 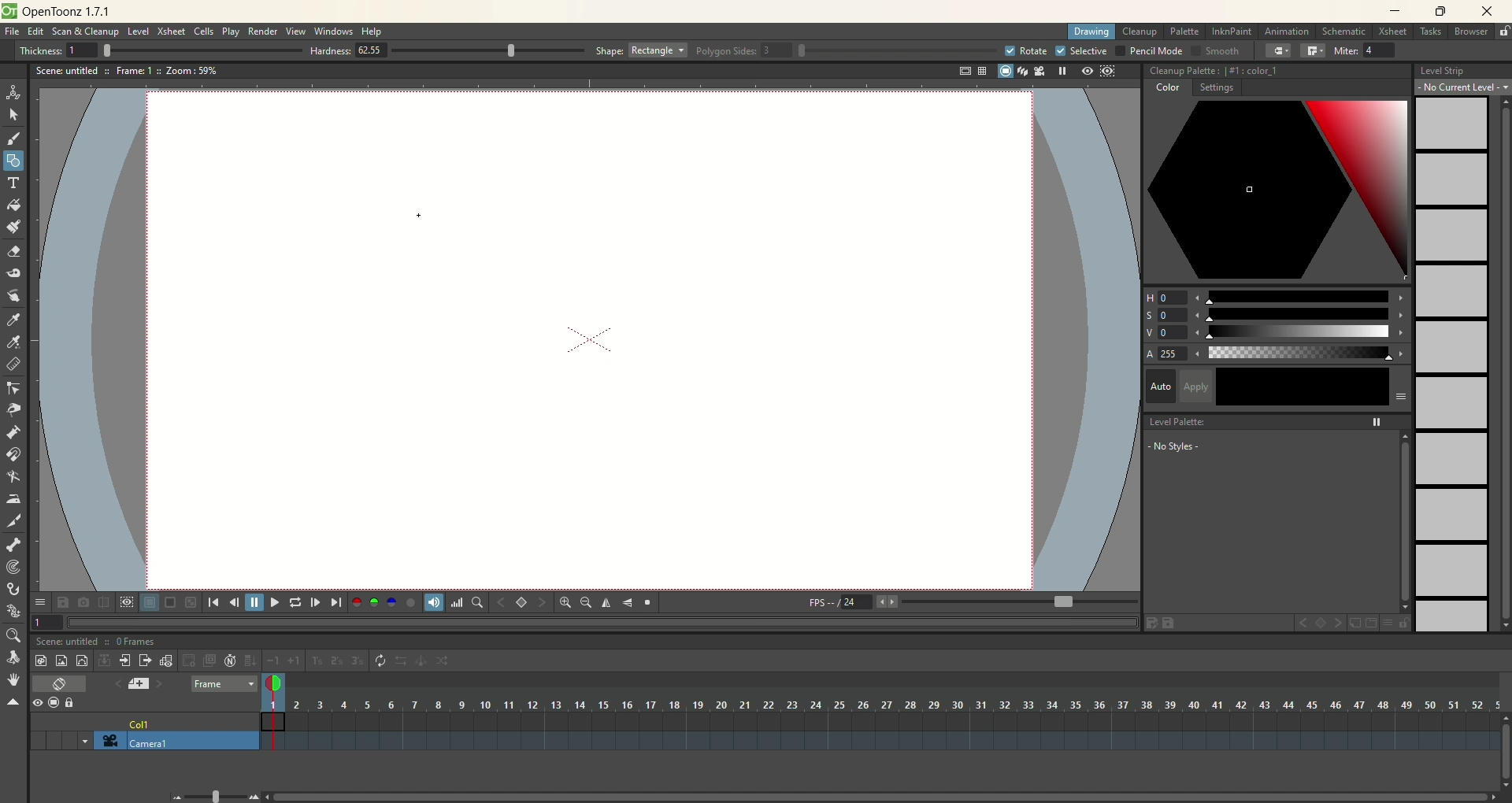 I want to click on previous key, so click(x=502, y=602).